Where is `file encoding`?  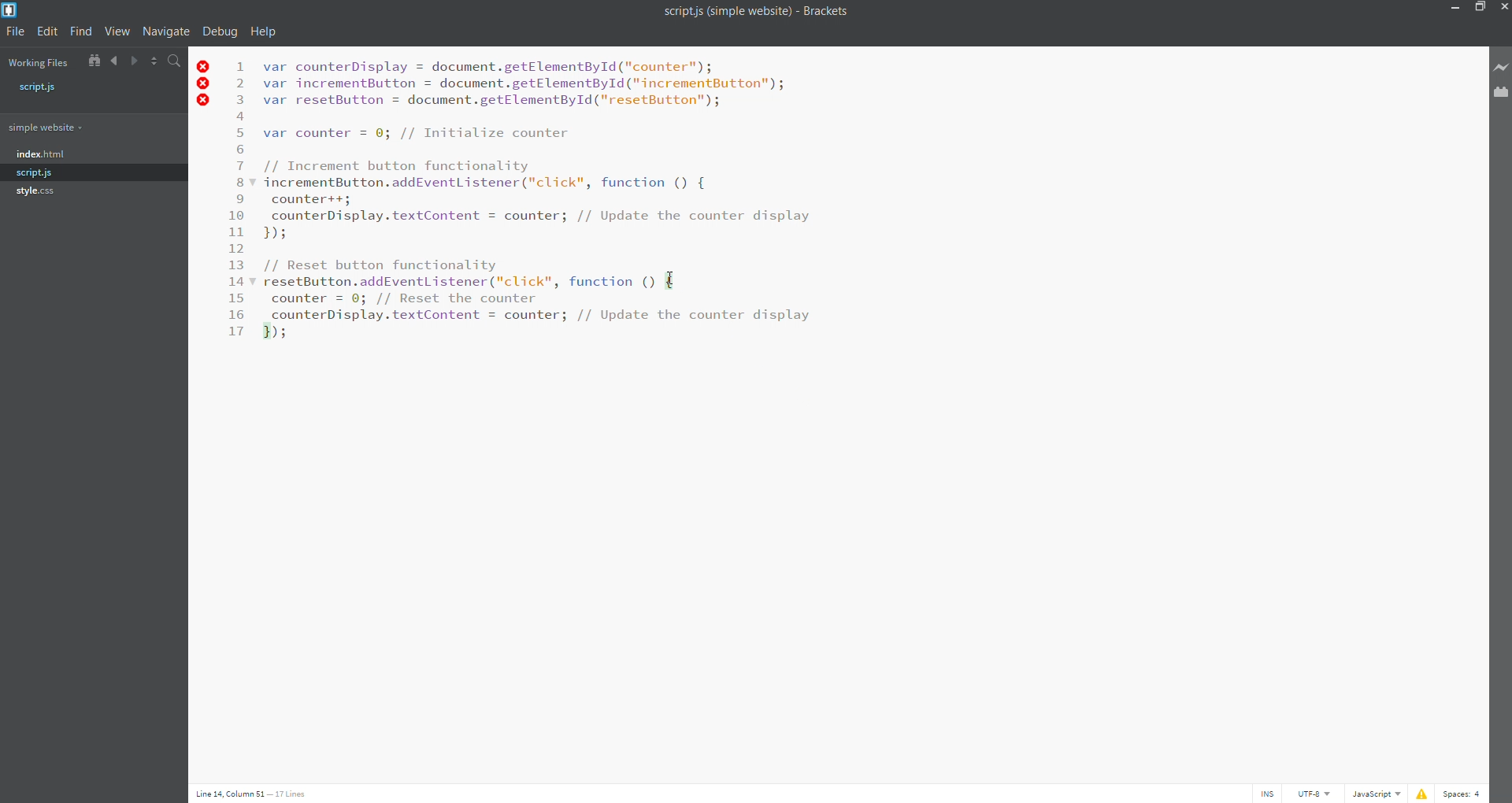
file encoding is located at coordinates (1315, 794).